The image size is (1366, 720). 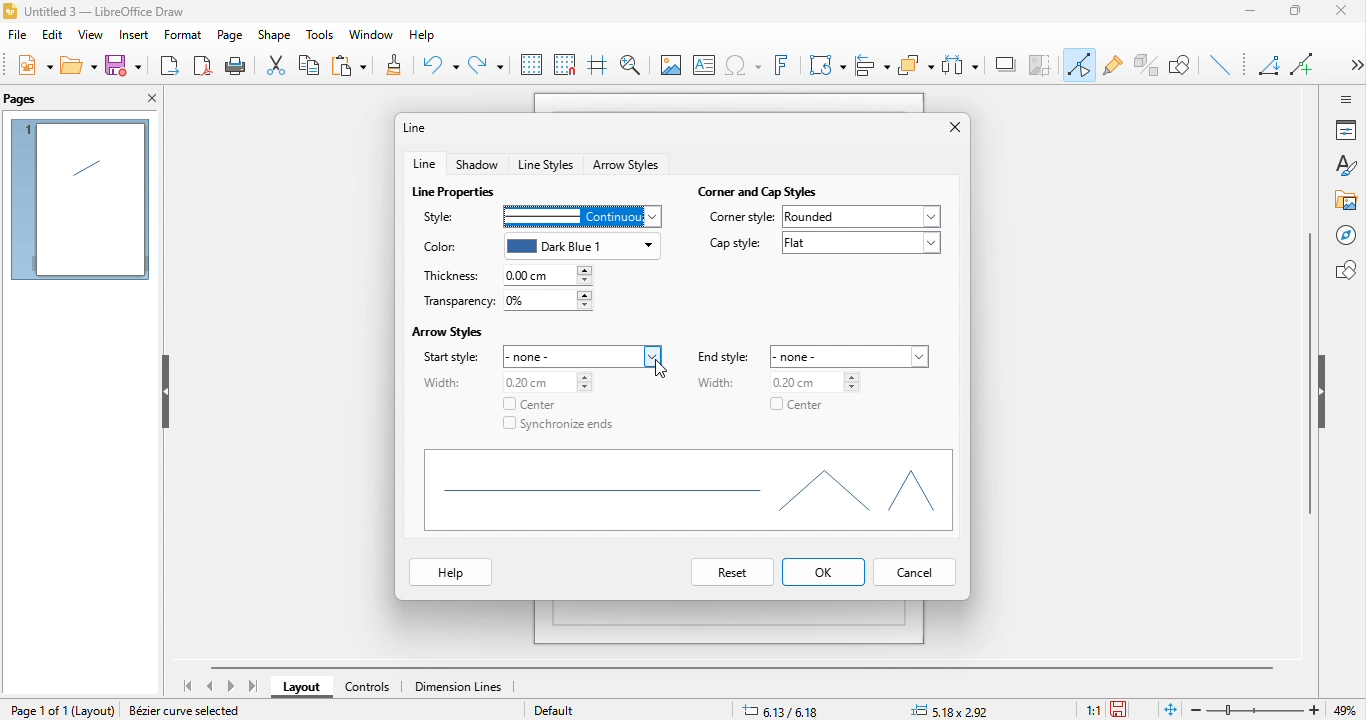 I want to click on transparency, so click(x=454, y=302).